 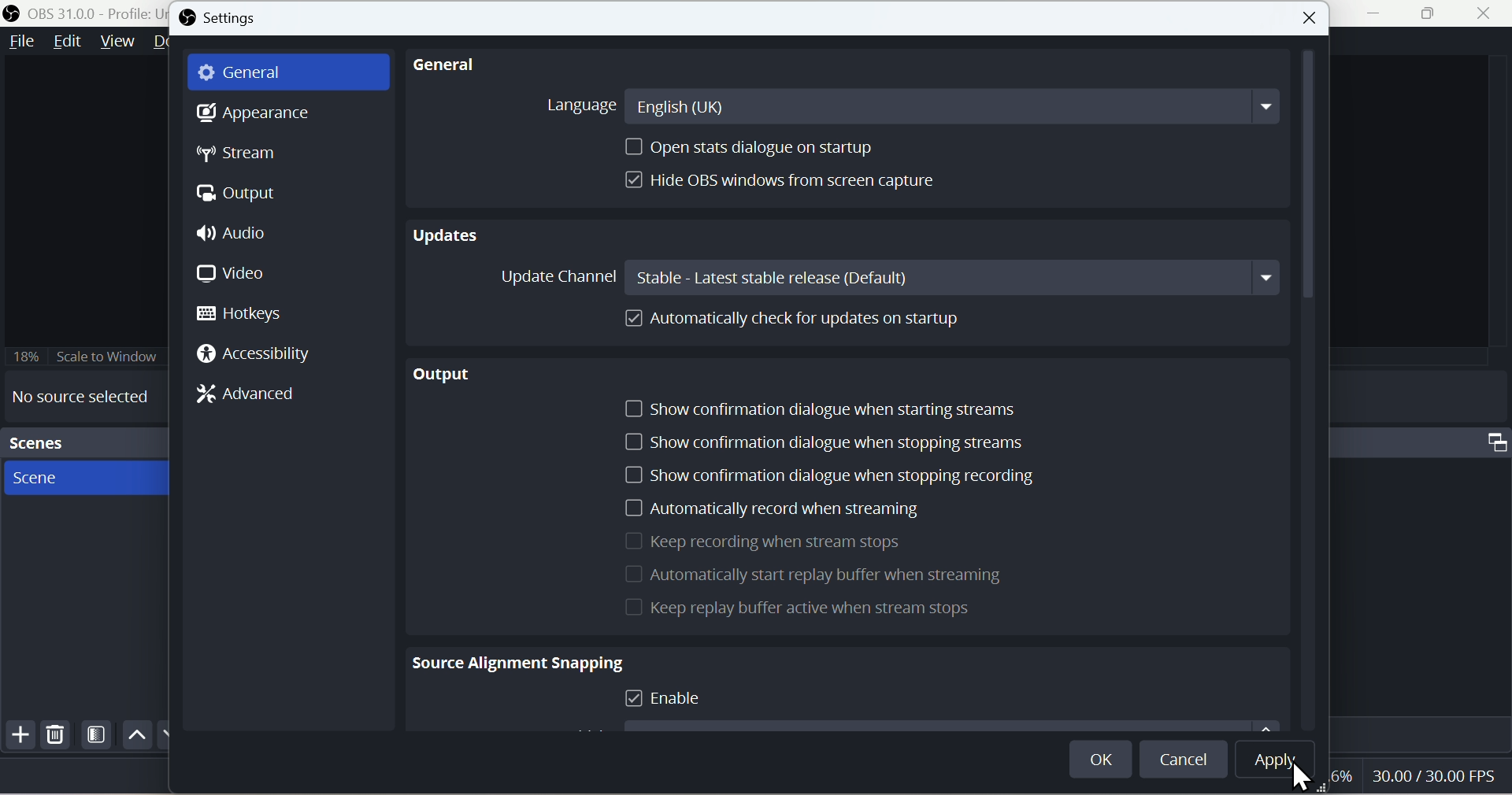 I want to click on Automatically record when is streaming, so click(x=768, y=510).